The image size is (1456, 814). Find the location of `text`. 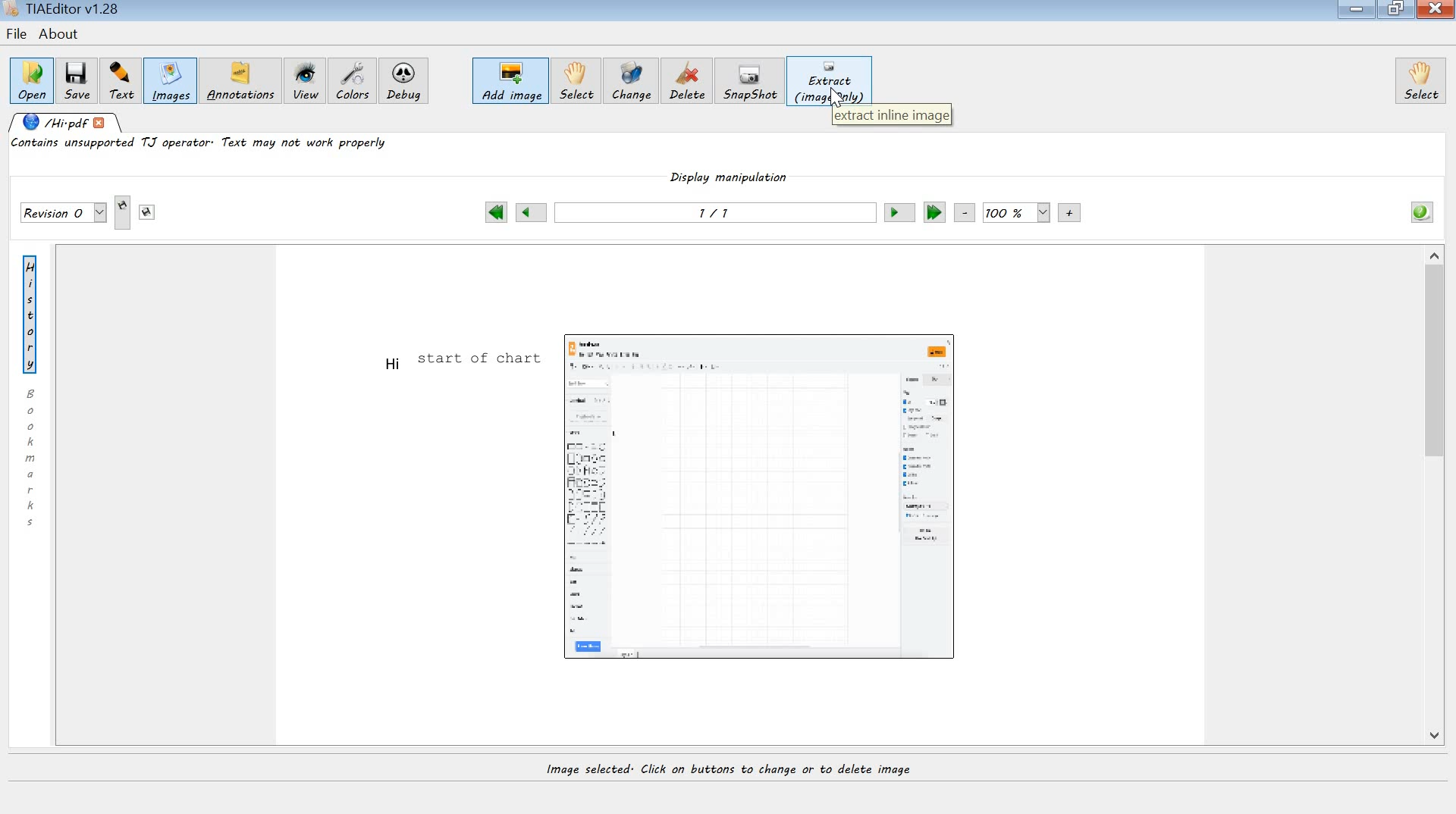

text is located at coordinates (118, 79).